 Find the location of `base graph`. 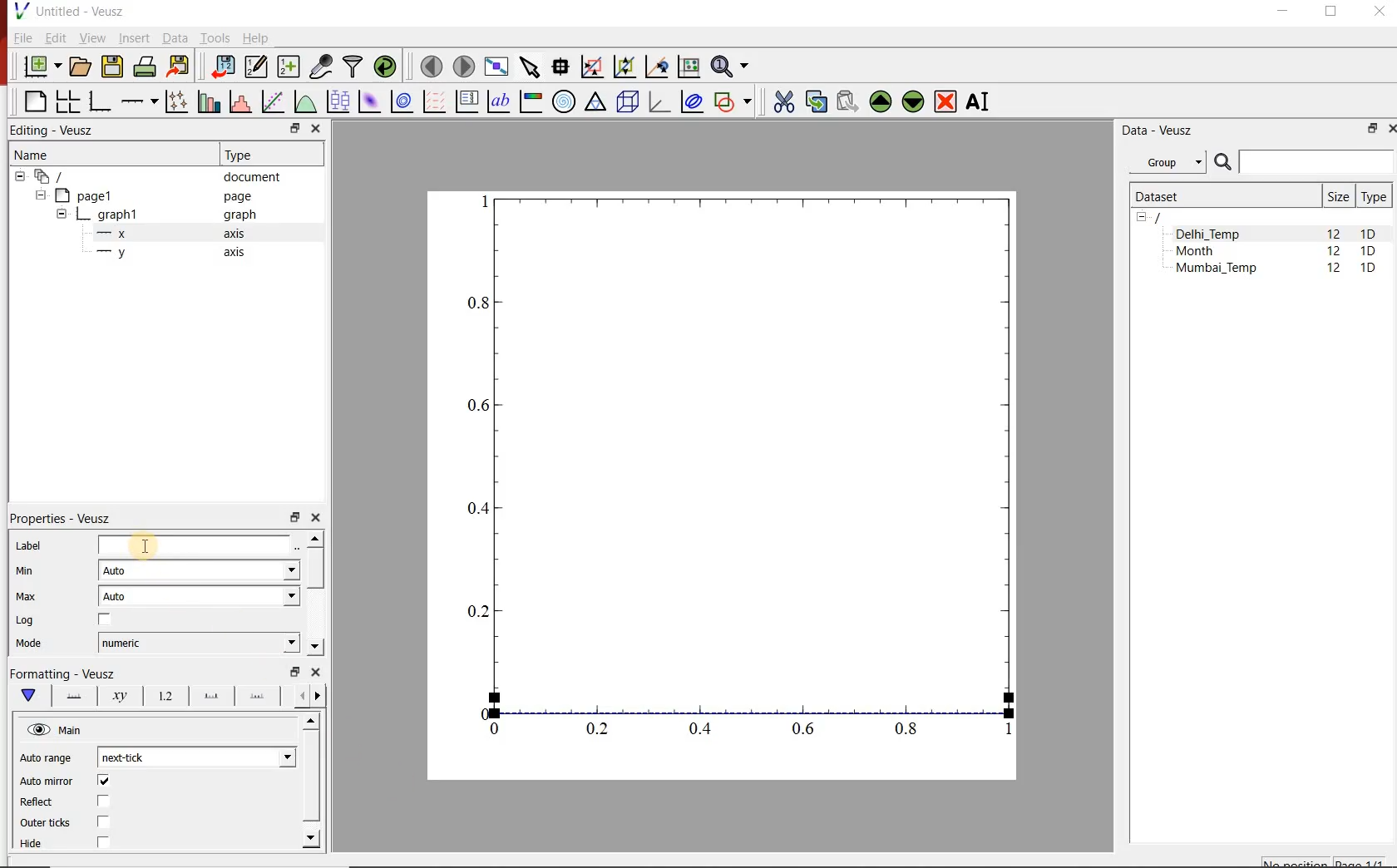

base graph is located at coordinates (98, 102).